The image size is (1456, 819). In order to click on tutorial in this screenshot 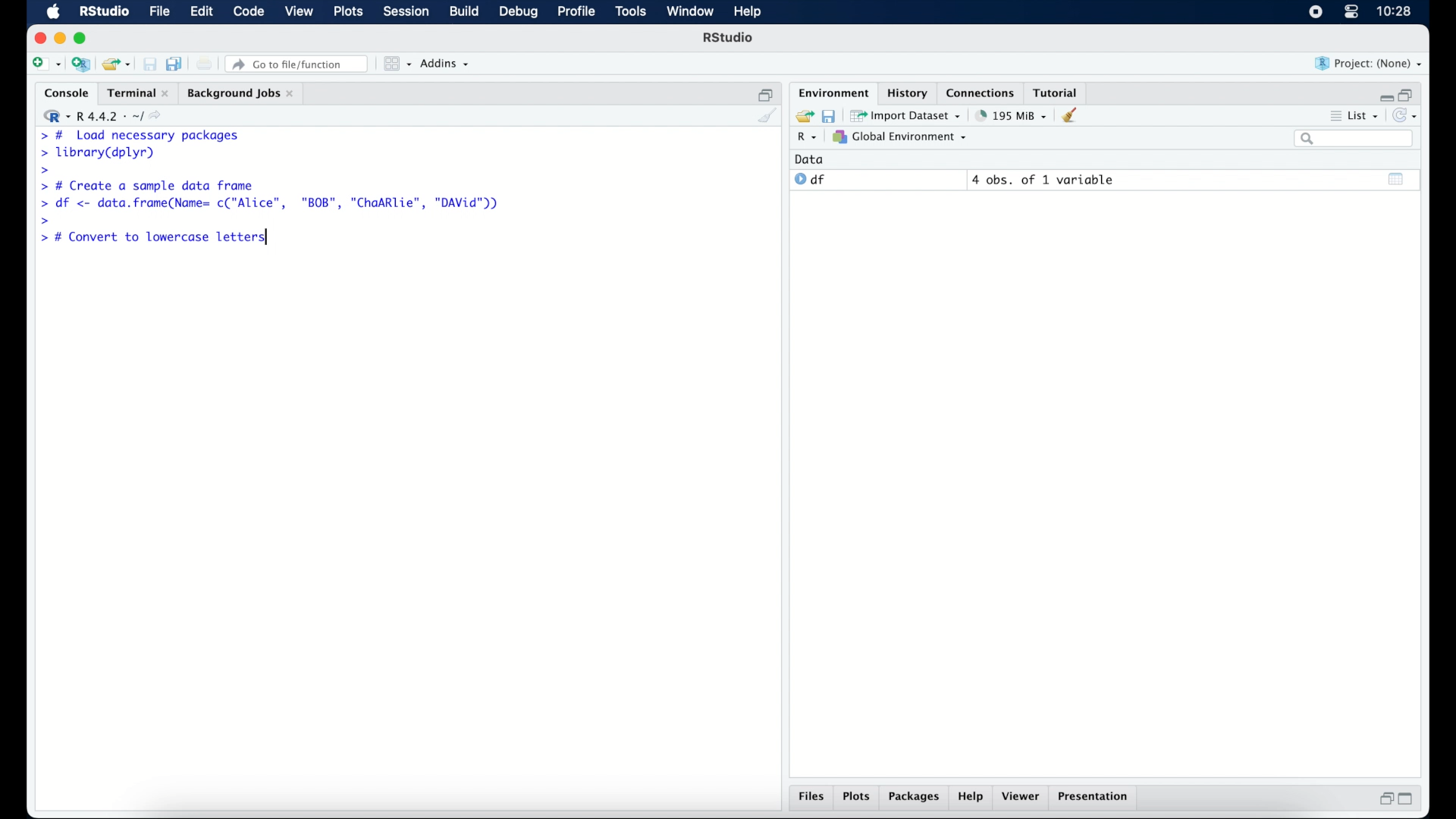, I will do `click(1059, 92)`.